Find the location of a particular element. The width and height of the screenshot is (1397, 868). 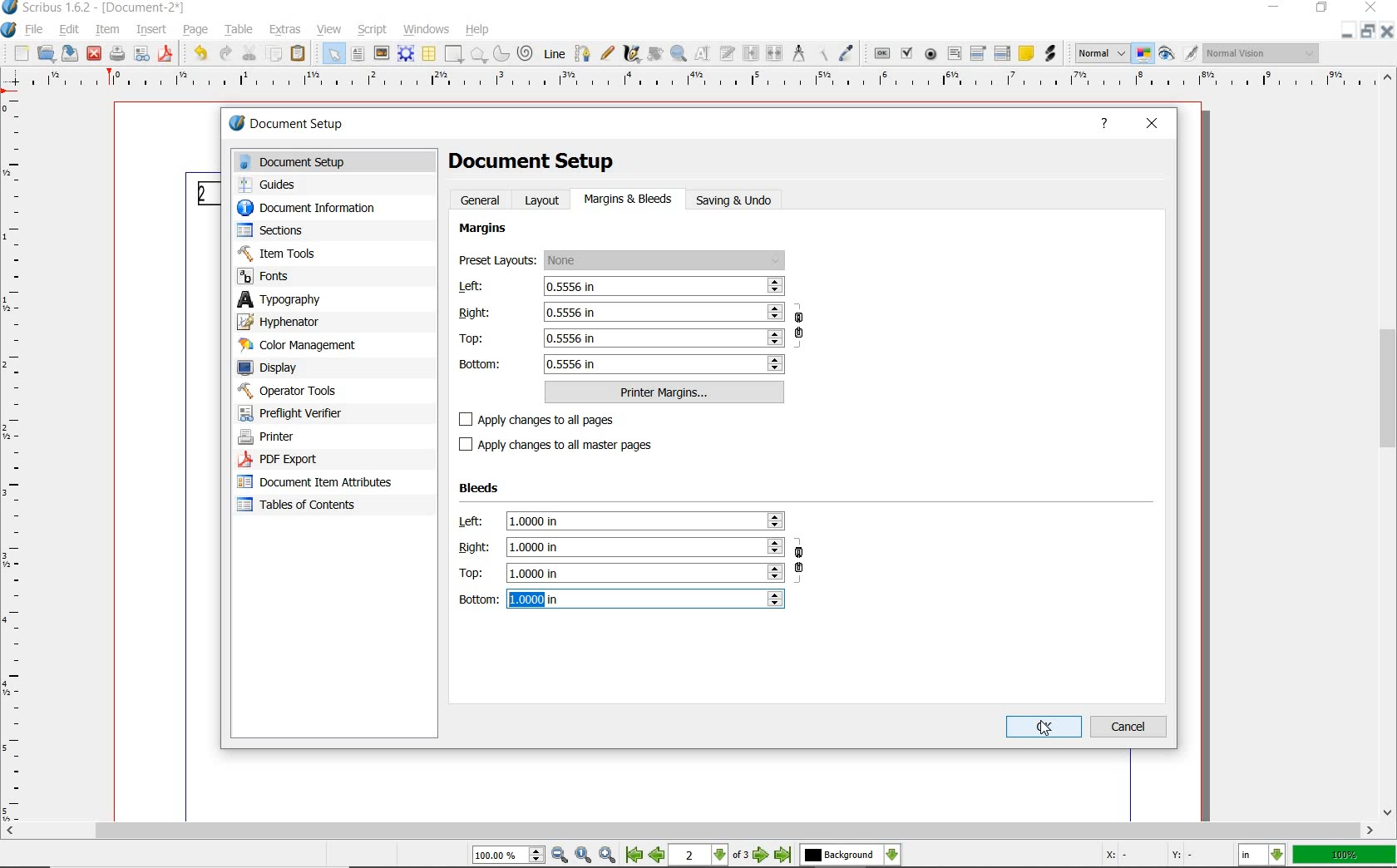

pdf list box is located at coordinates (1003, 54).